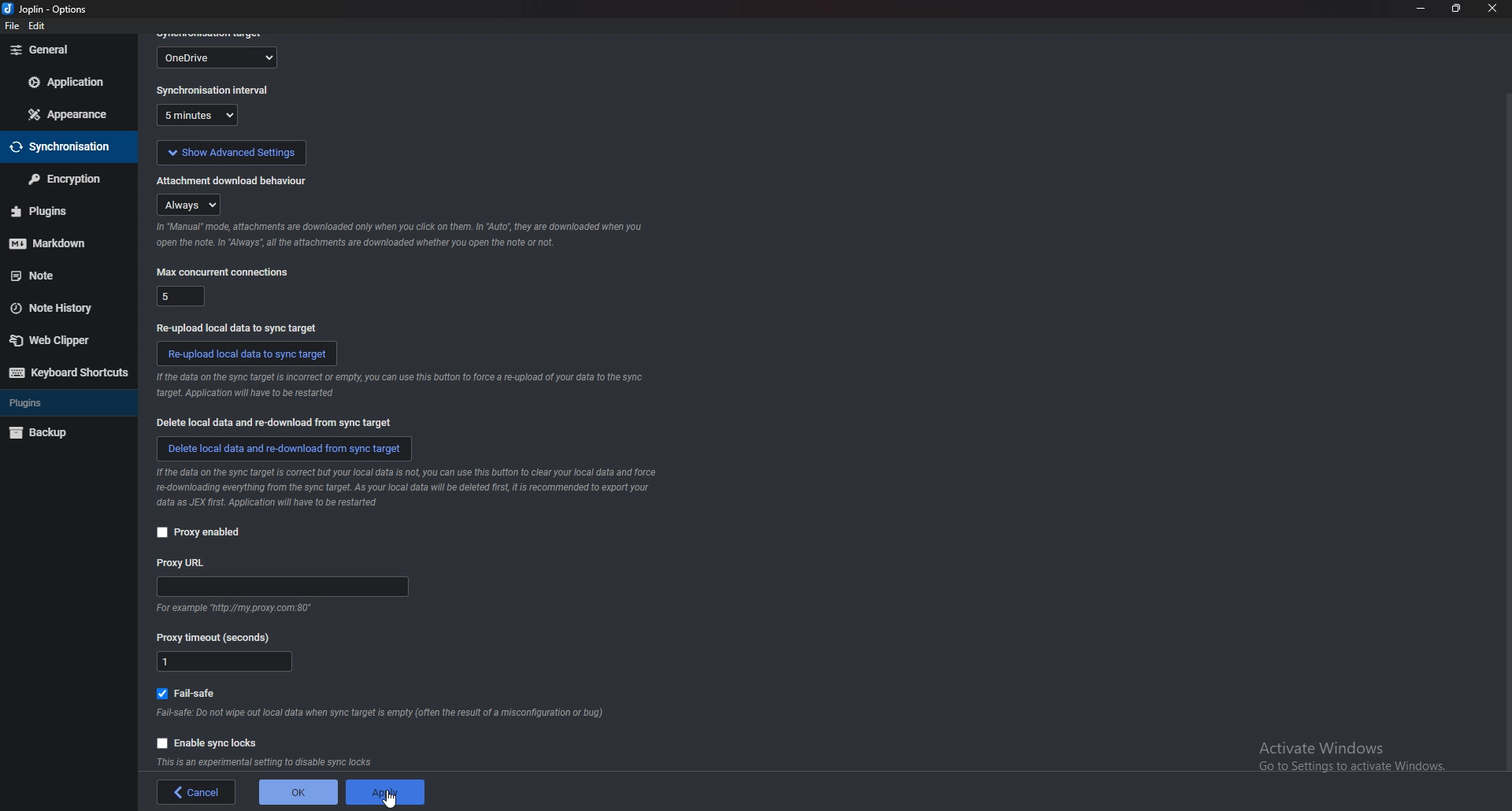 Image resolution: width=1512 pixels, height=811 pixels. Describe the element at coordinates (235, 326) in the screenshot. I see `reupload ` at that location.